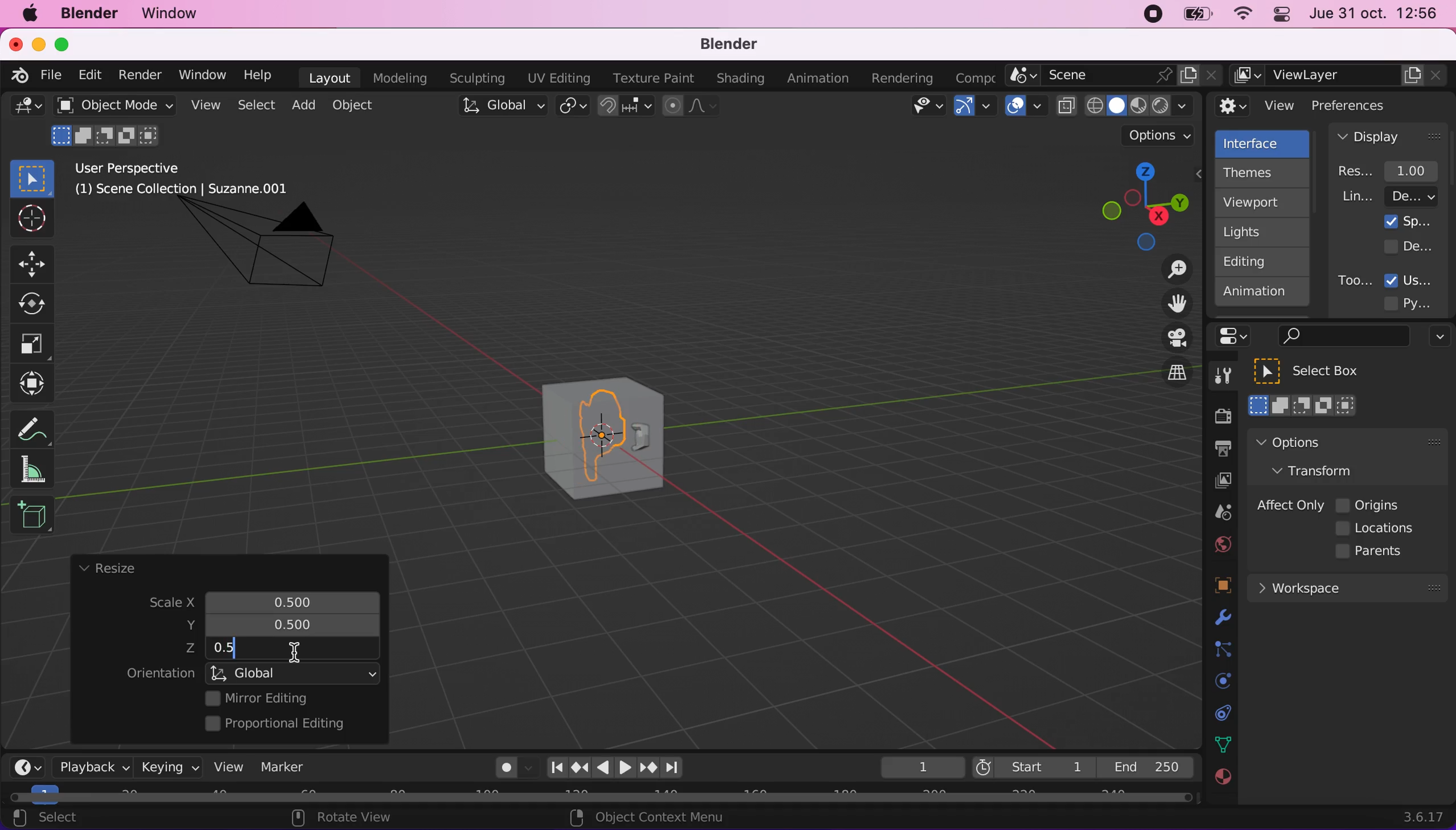 Image resolution: width=1456 pixels, height=830 pixels. Describe the element at coordinates (1378, 528) in the screenshot. I see `locations` at that location.